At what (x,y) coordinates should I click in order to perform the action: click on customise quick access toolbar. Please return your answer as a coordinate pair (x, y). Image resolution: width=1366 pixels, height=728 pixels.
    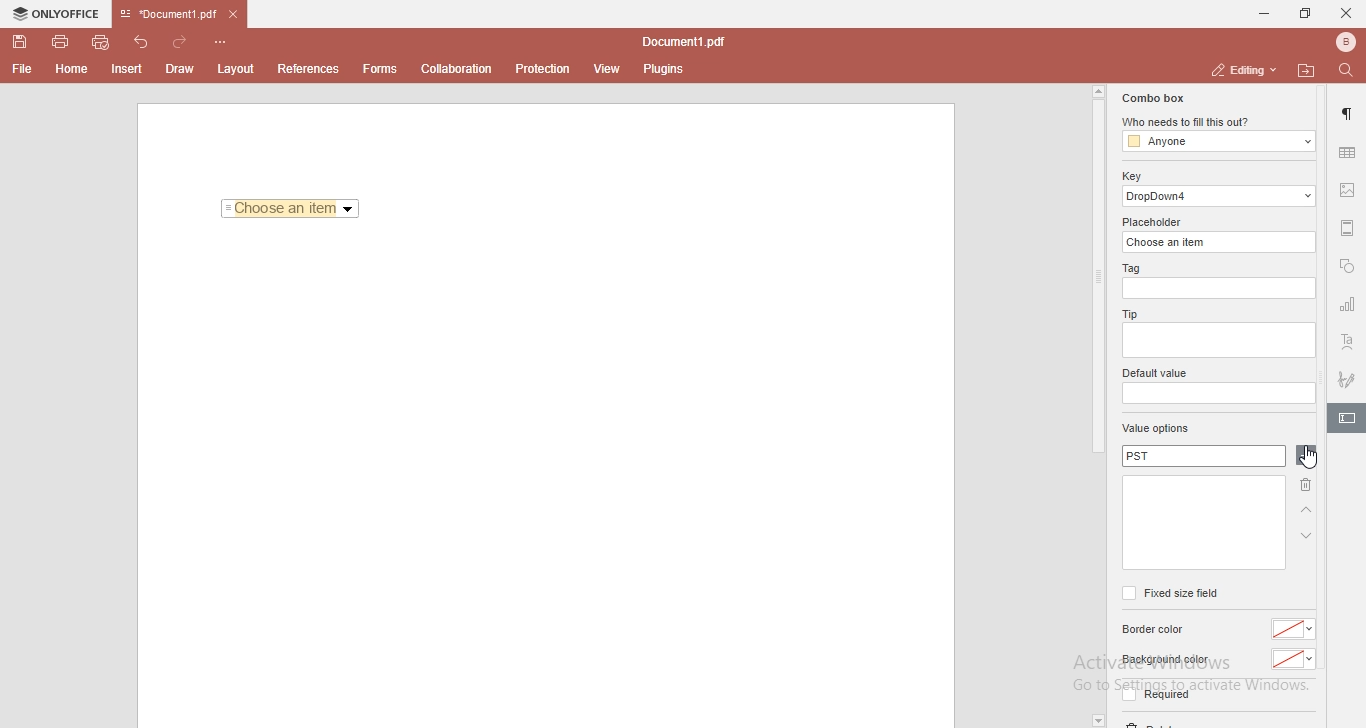
    Looking at the image, I should click on (224, 41).